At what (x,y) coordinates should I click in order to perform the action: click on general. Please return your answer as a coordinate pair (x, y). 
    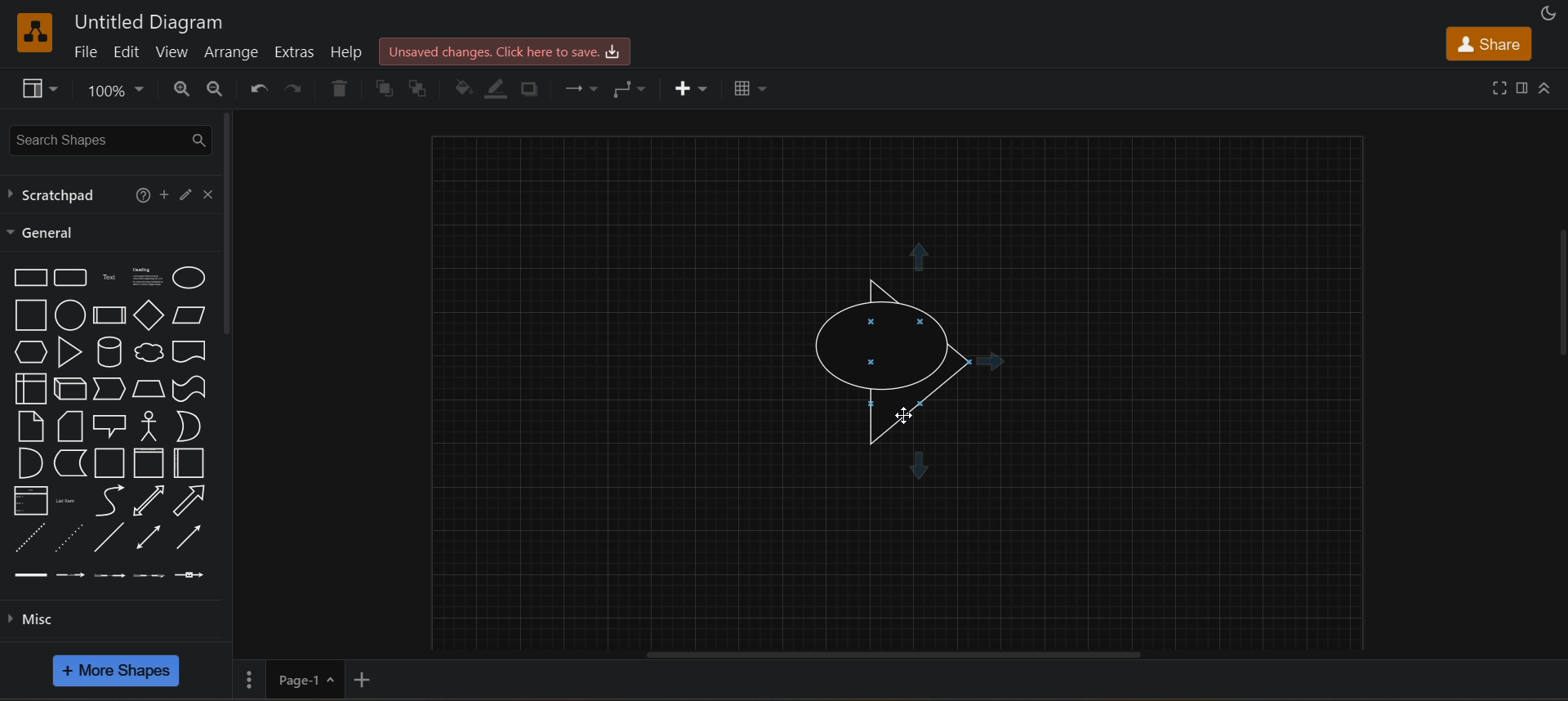
    Looking at the image, I should click on (45, 233).